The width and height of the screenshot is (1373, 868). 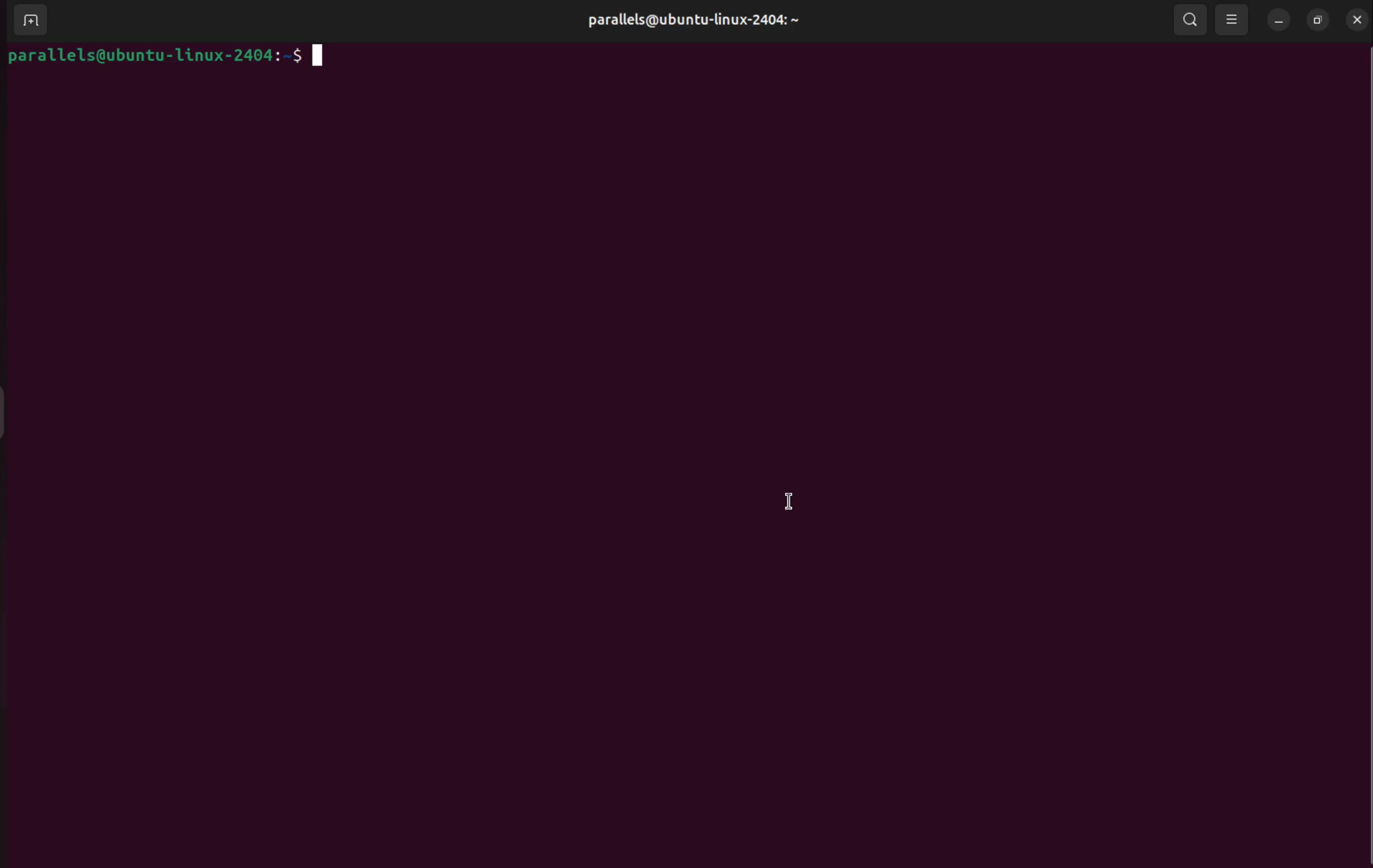 I want to click on view options, so click(x=1235, y=19).